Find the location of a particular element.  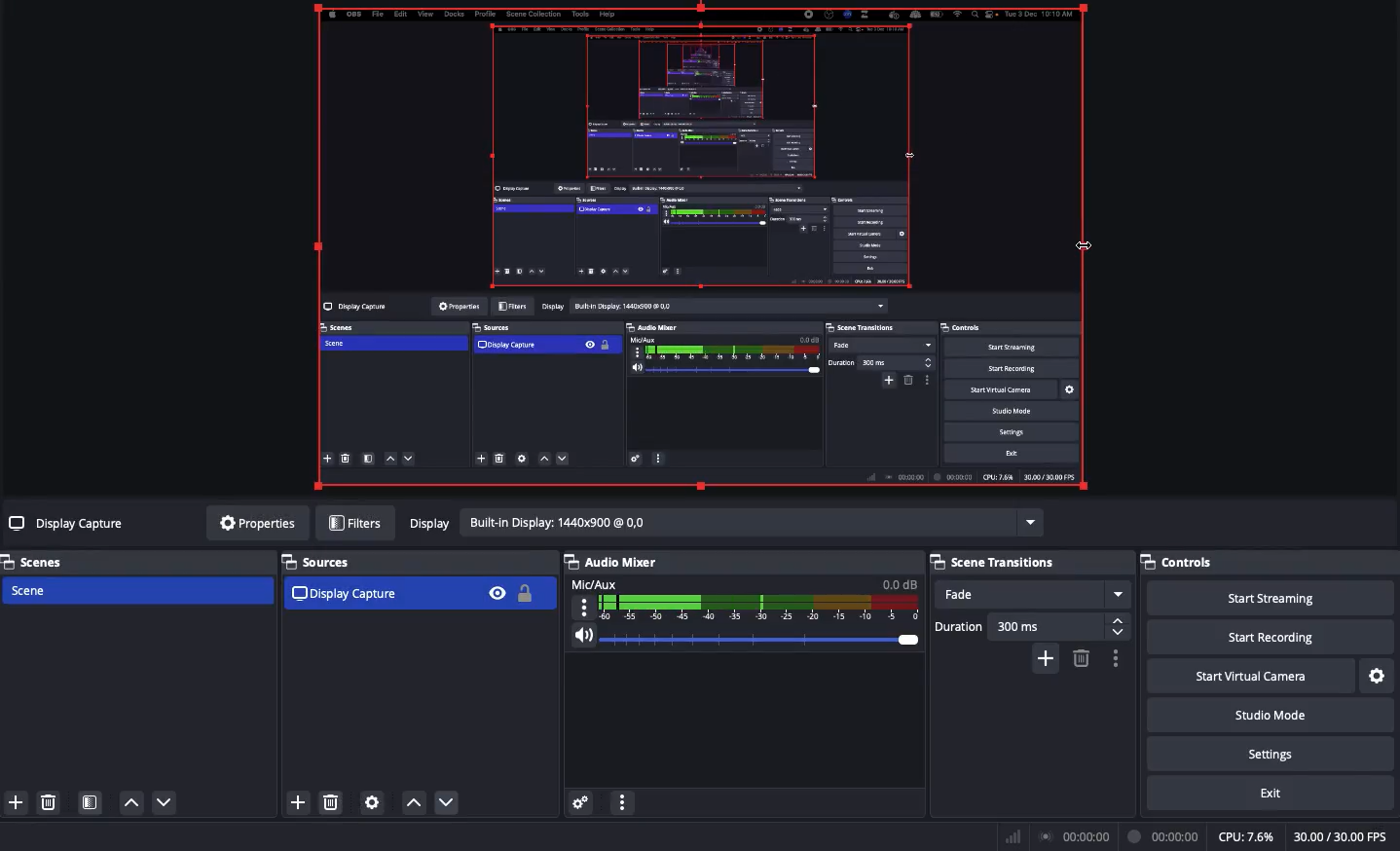

Scene filter is located at coordinates (91, 804).